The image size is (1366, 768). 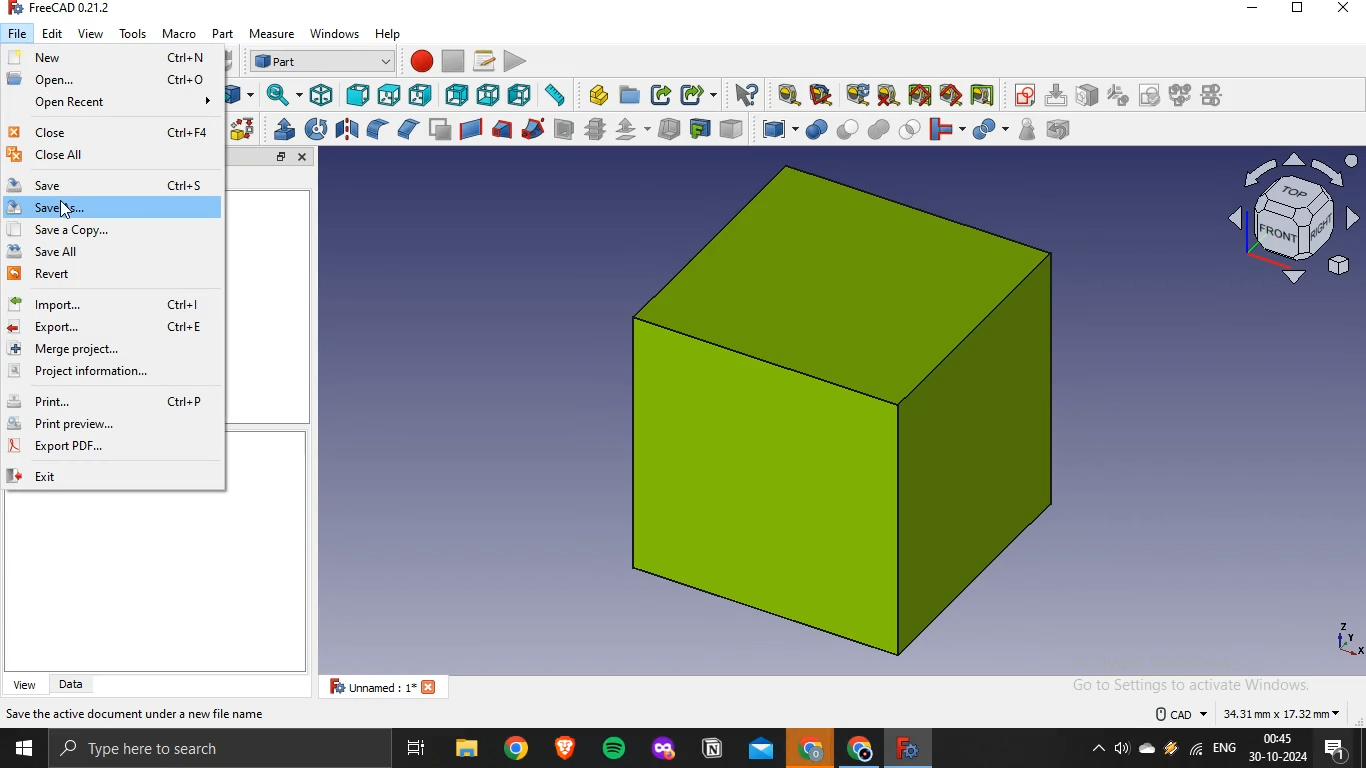 What do you see at coordinates (516, 748) in the screenshot?
I see `google chrome` at bounding box center [516, 748].